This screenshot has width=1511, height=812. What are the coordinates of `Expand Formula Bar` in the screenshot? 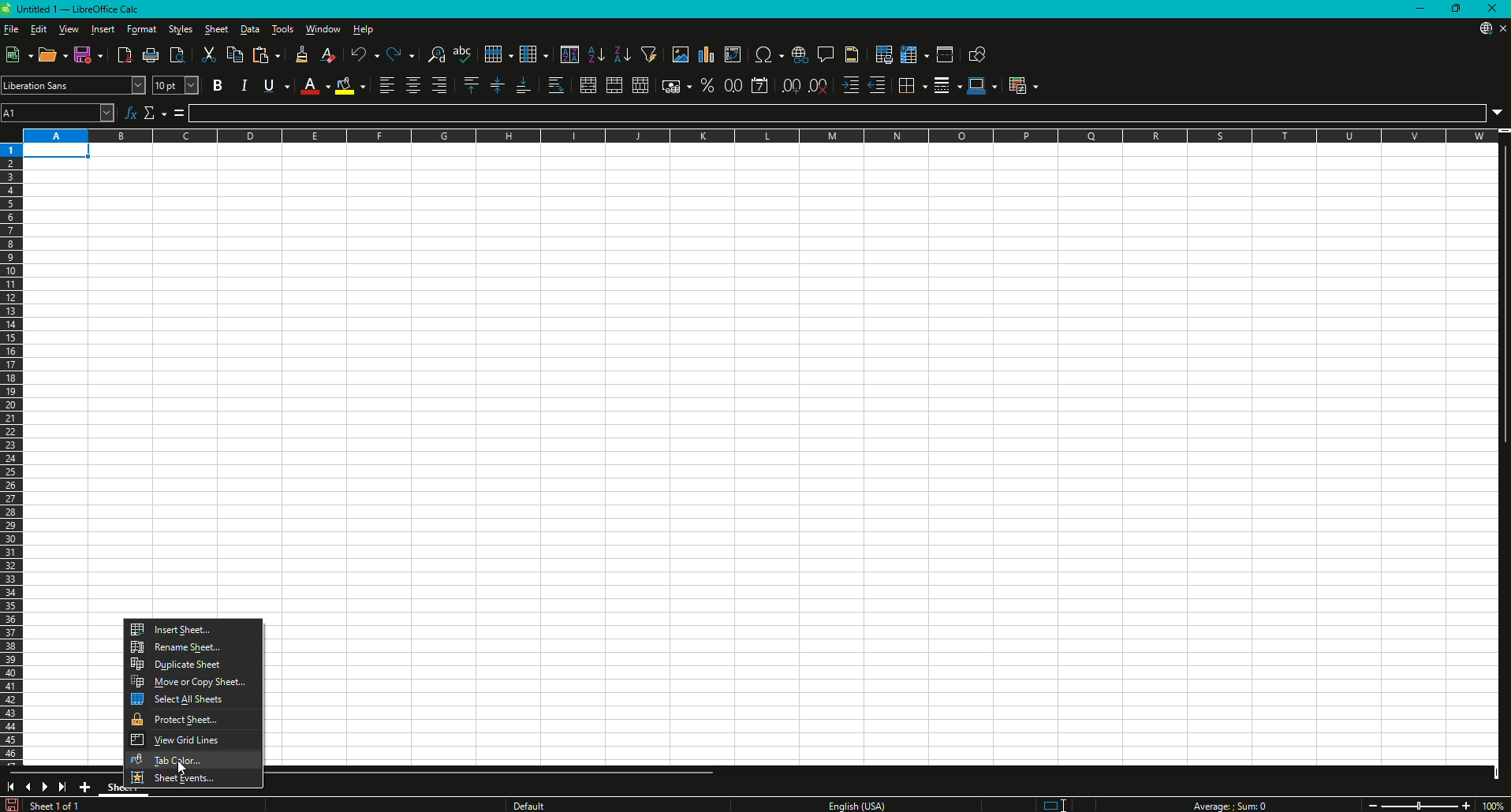 It's located at (1498, 114).